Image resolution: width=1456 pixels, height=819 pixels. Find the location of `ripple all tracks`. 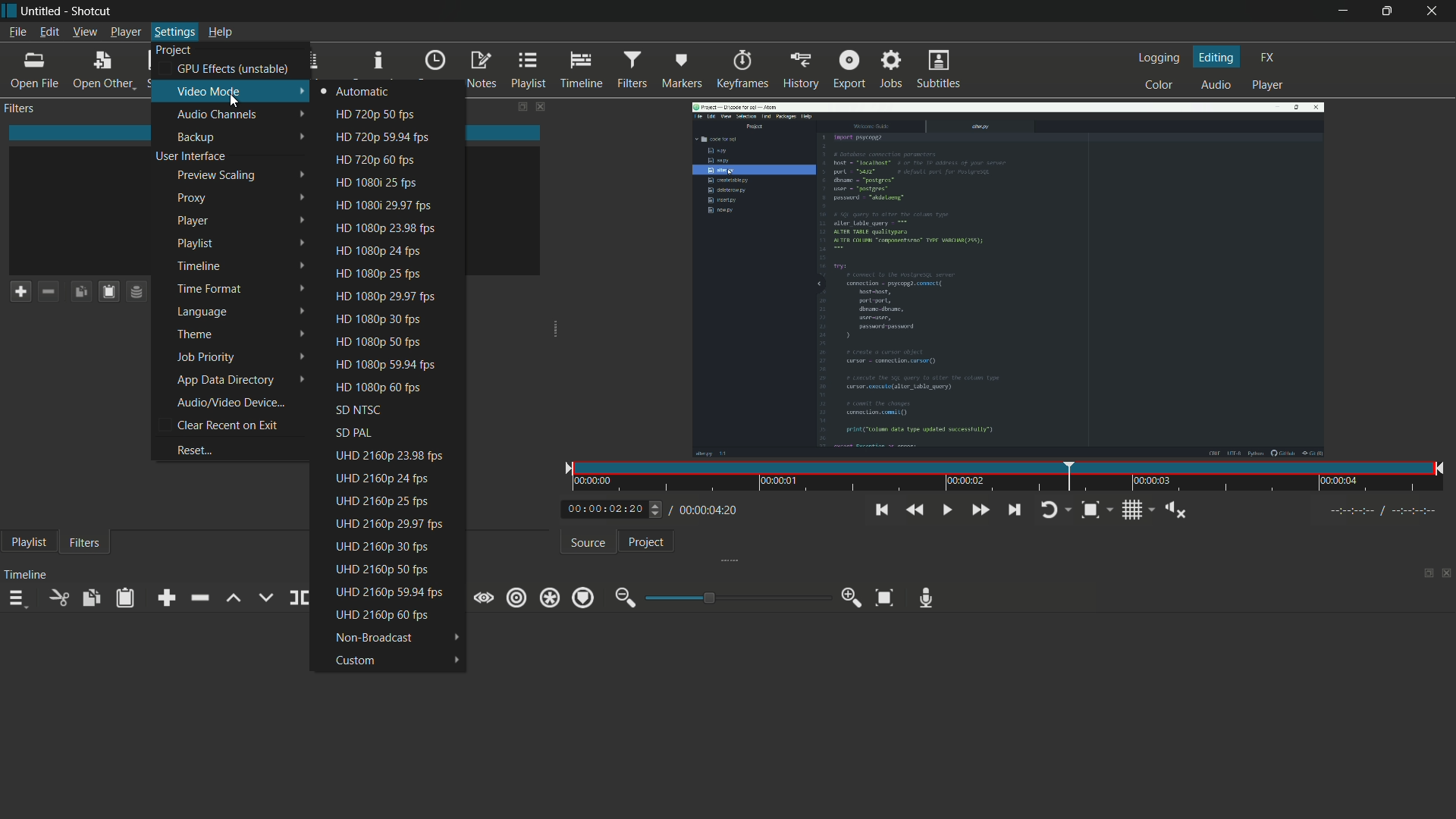

ripple all tracks is located at coordinates (548, 598).